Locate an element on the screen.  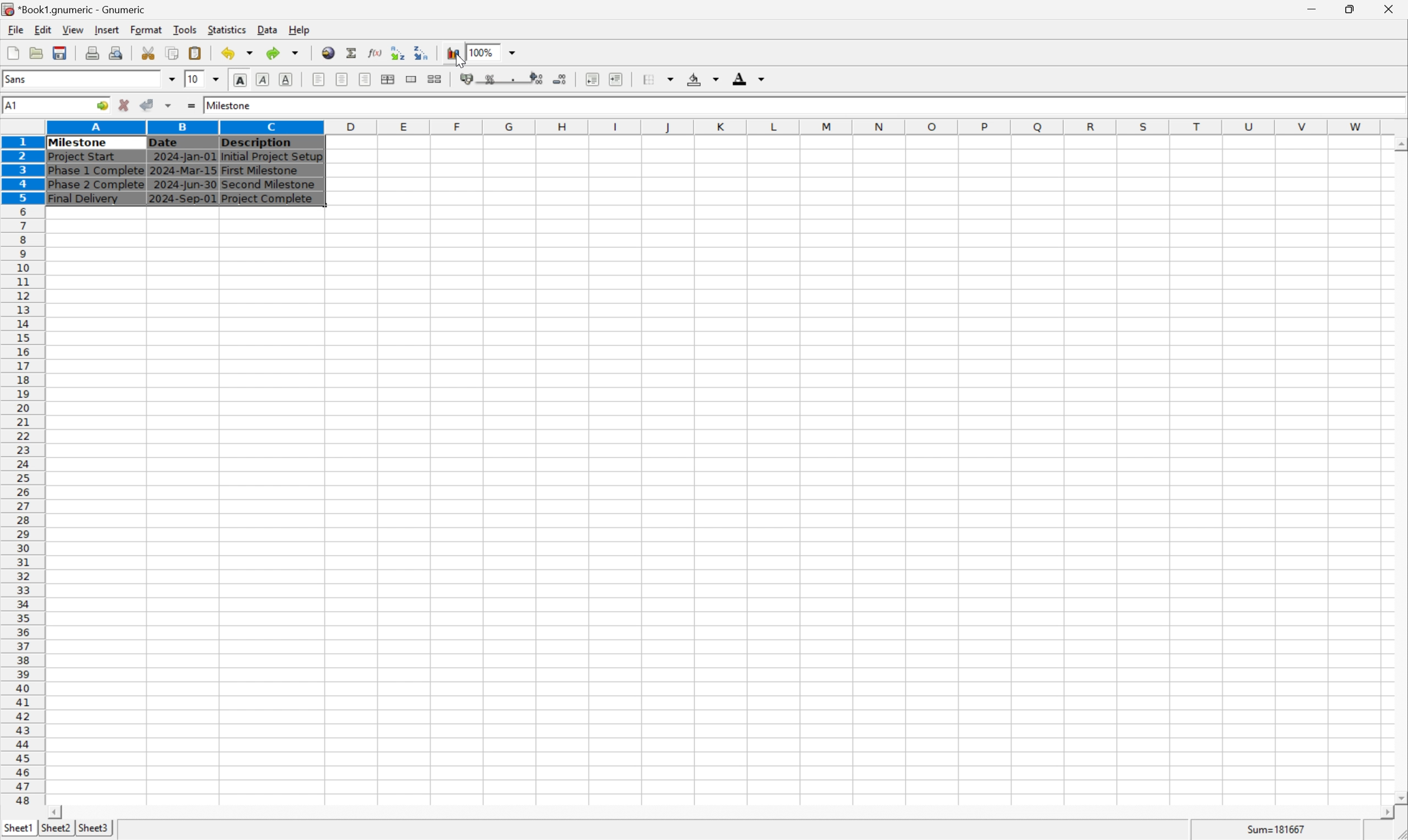
center horizontally is located at coordinates (341, 80).